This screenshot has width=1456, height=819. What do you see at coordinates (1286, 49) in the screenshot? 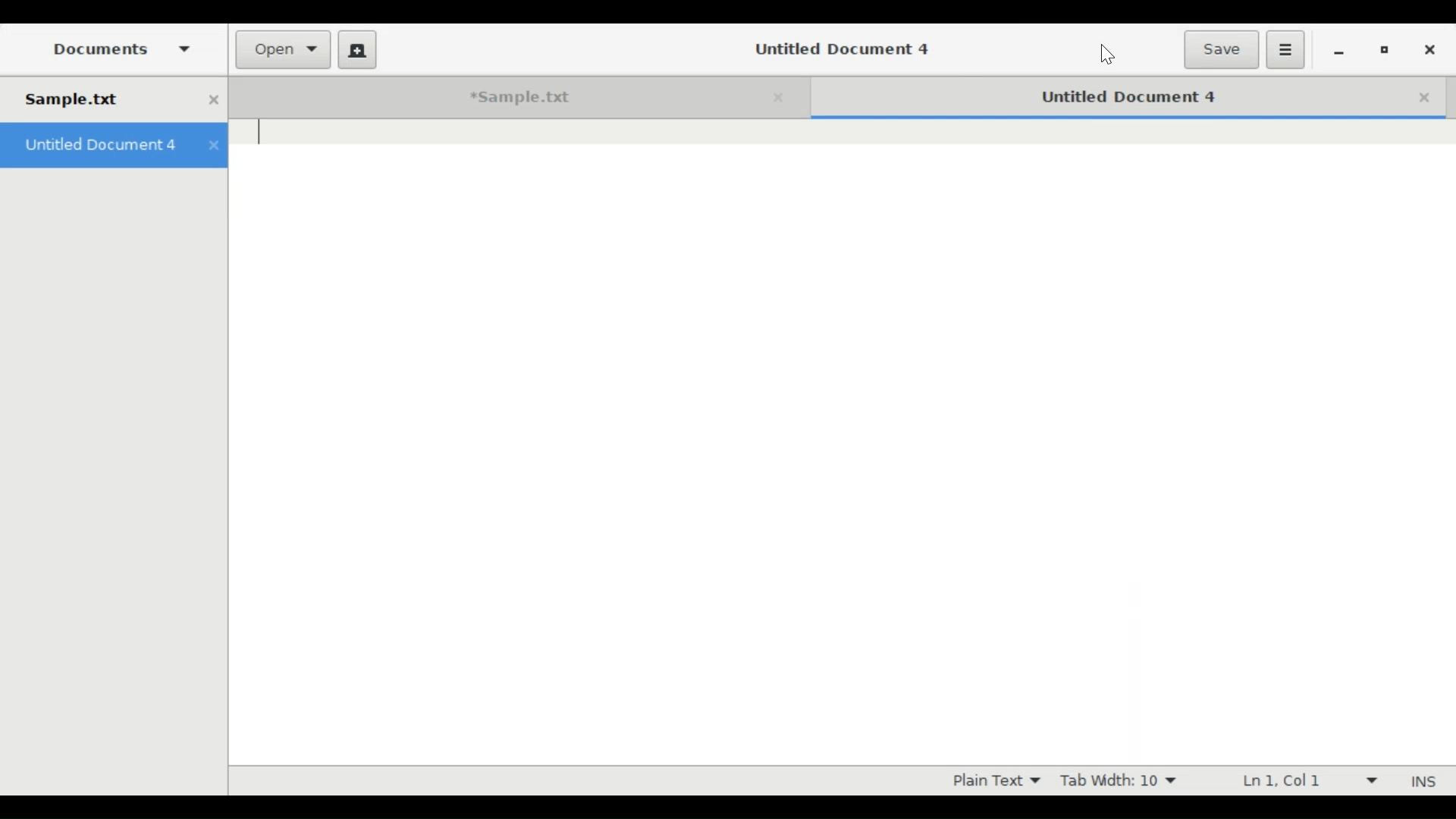
I see `Application menu` at bounding box center [1286, 49].